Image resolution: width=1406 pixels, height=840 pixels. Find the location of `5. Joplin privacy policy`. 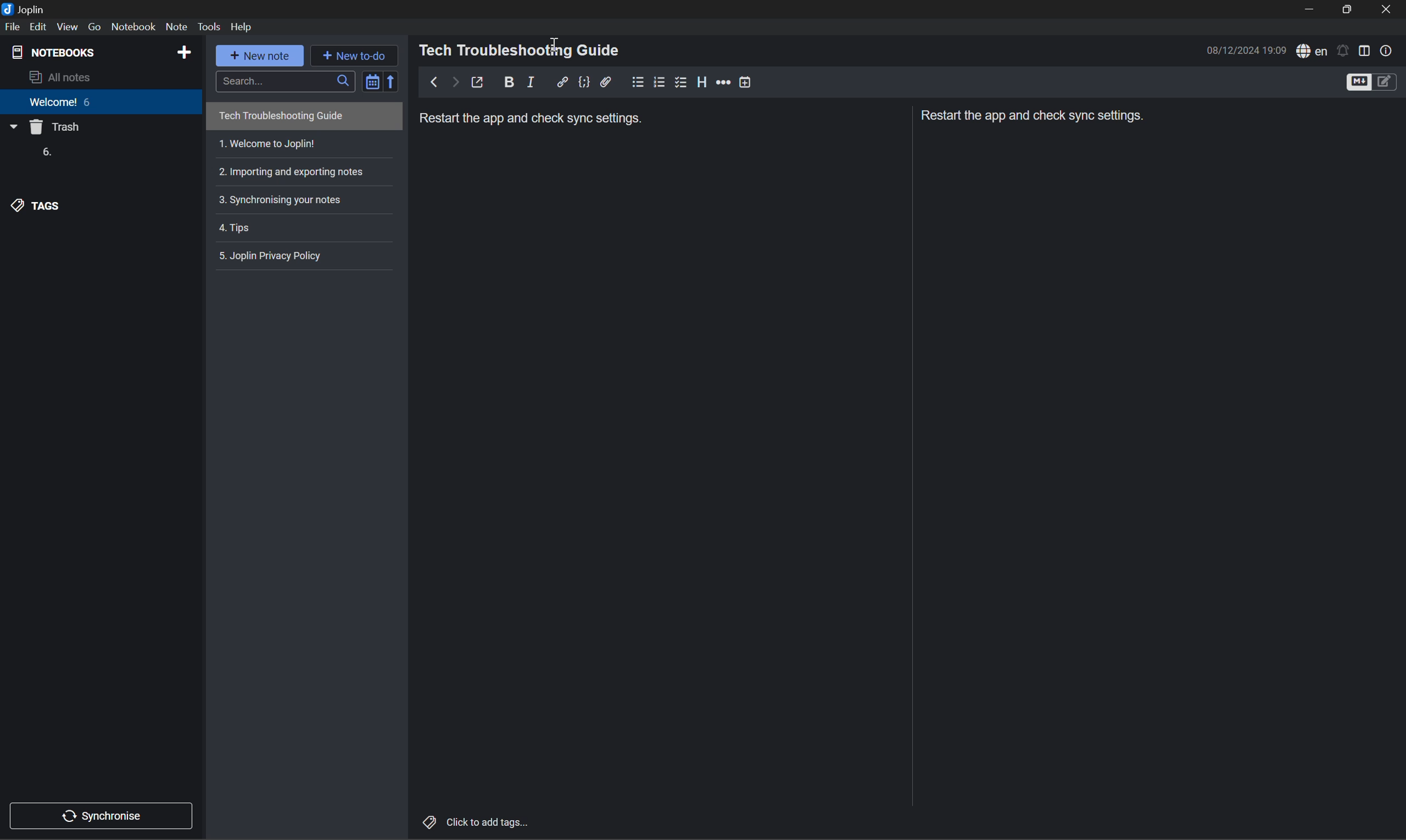

5. Joplin privacy policy is located at coordinates (274, 255).